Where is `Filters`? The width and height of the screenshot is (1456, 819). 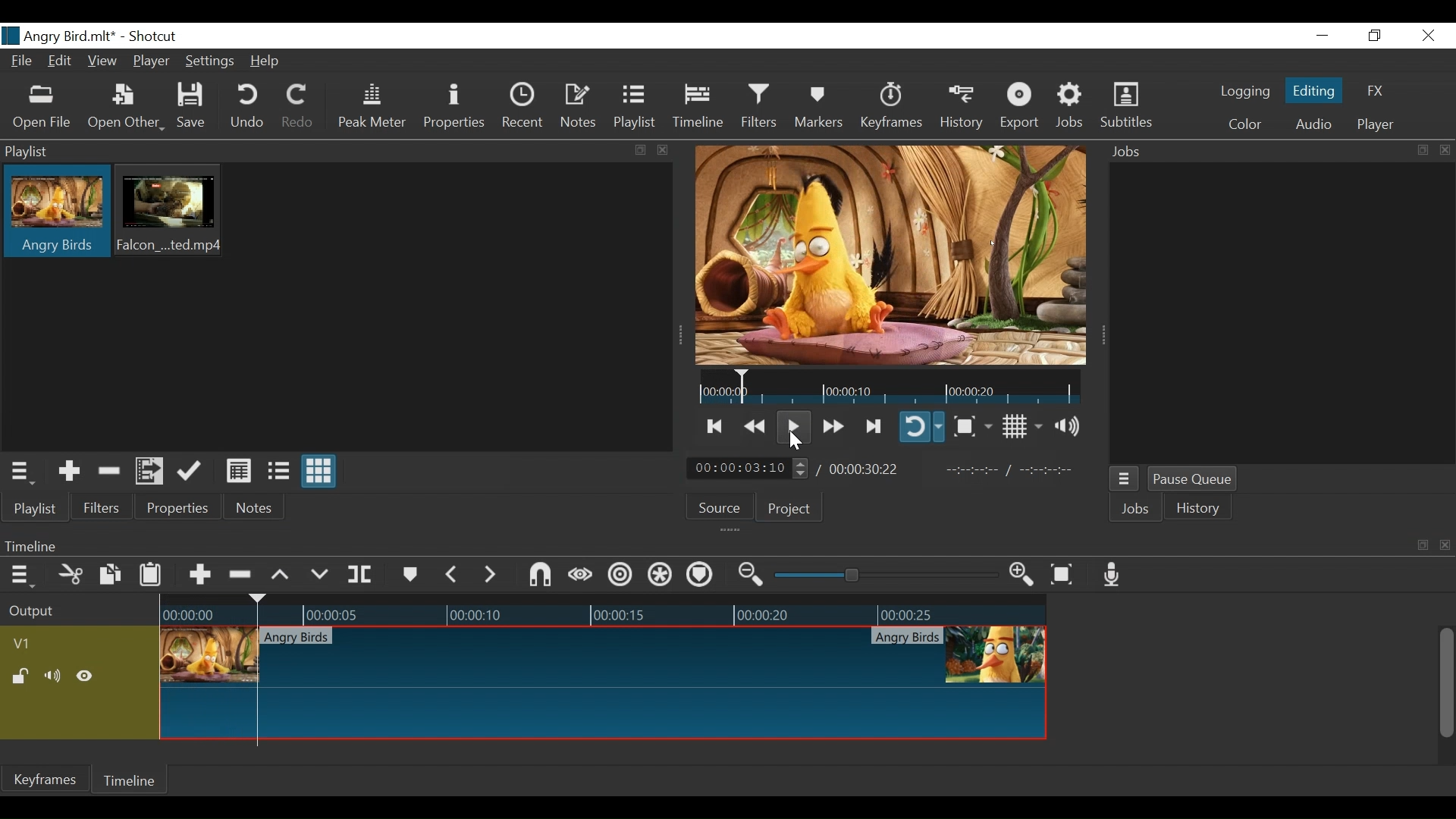
Filters is located at coordinates (757, 108).